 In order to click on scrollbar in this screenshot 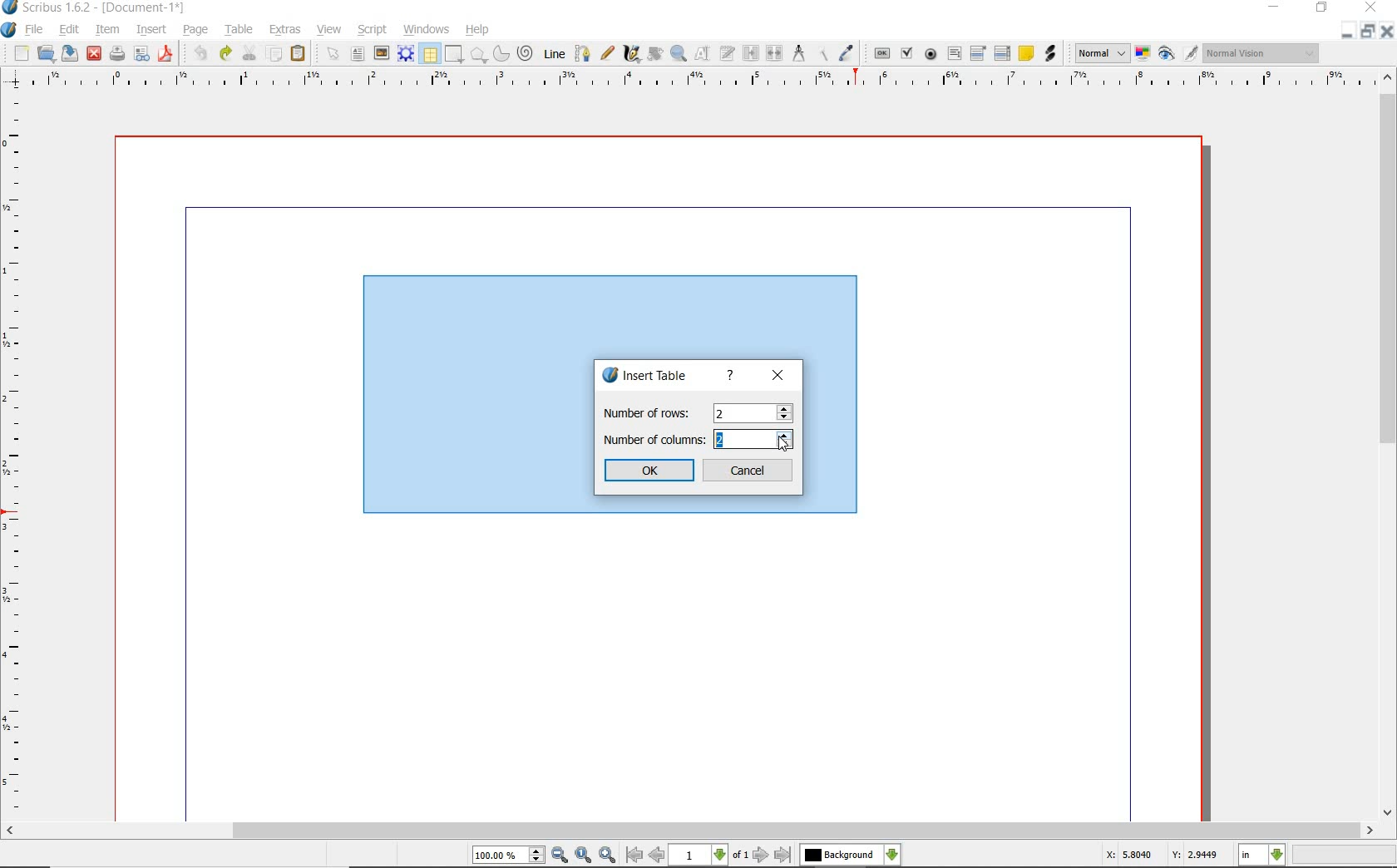, I will do `click(1387, 446)`.